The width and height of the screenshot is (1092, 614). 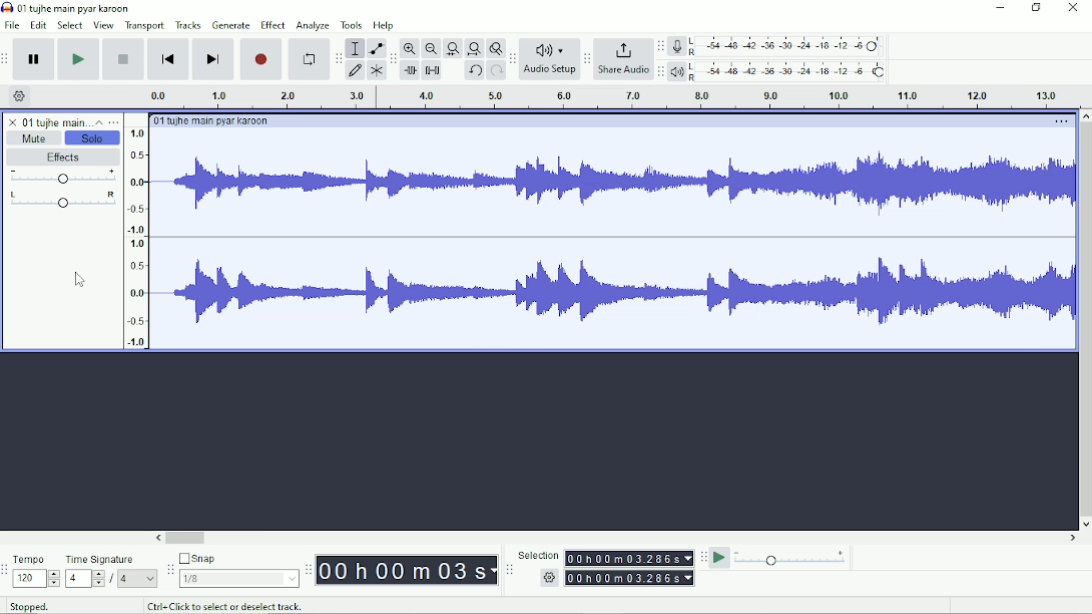 I want to click on View, so click(x=104, y=24).